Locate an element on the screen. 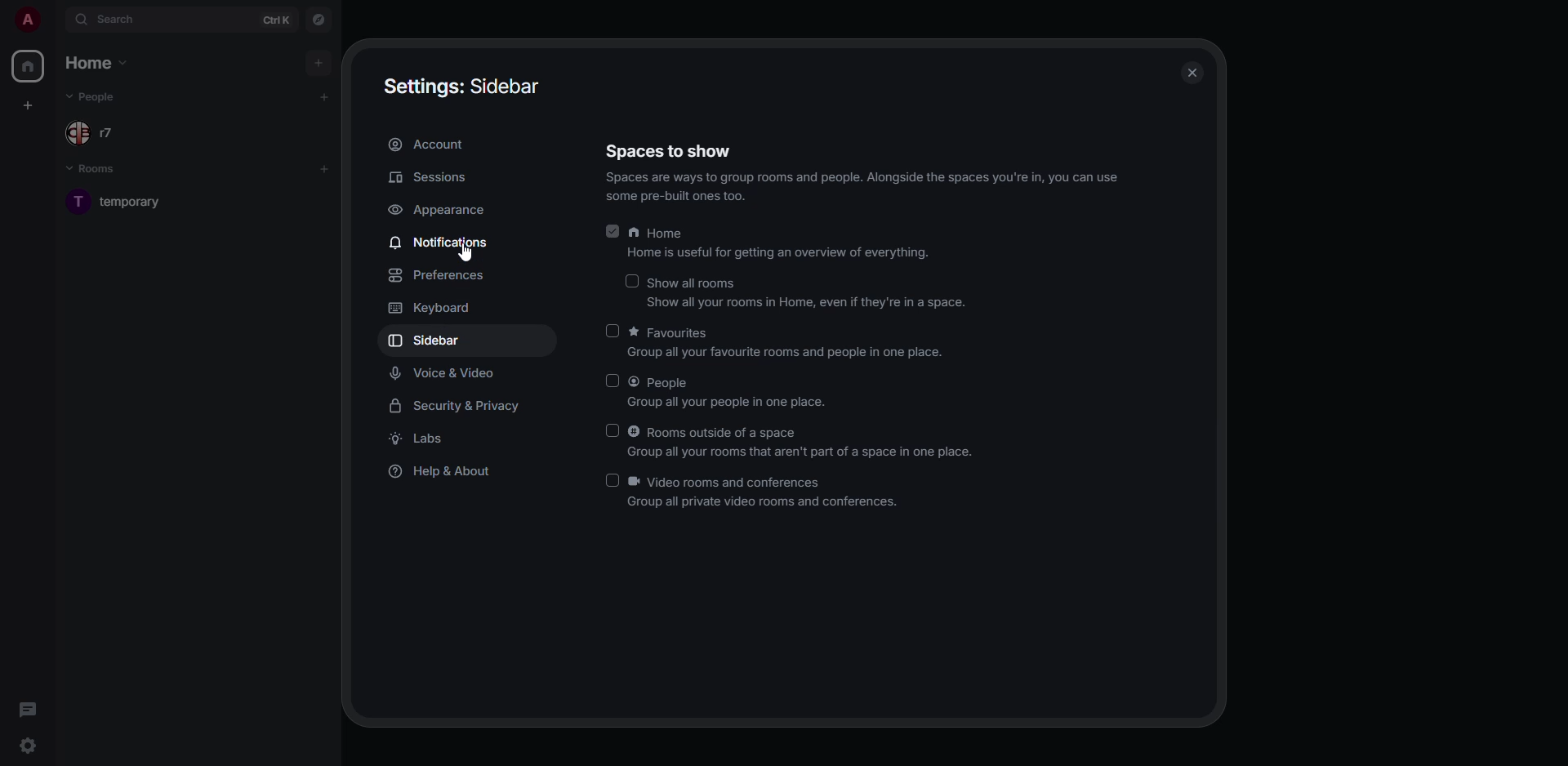 The image size is (1568, 766). home is located at coordinates (30, 69).